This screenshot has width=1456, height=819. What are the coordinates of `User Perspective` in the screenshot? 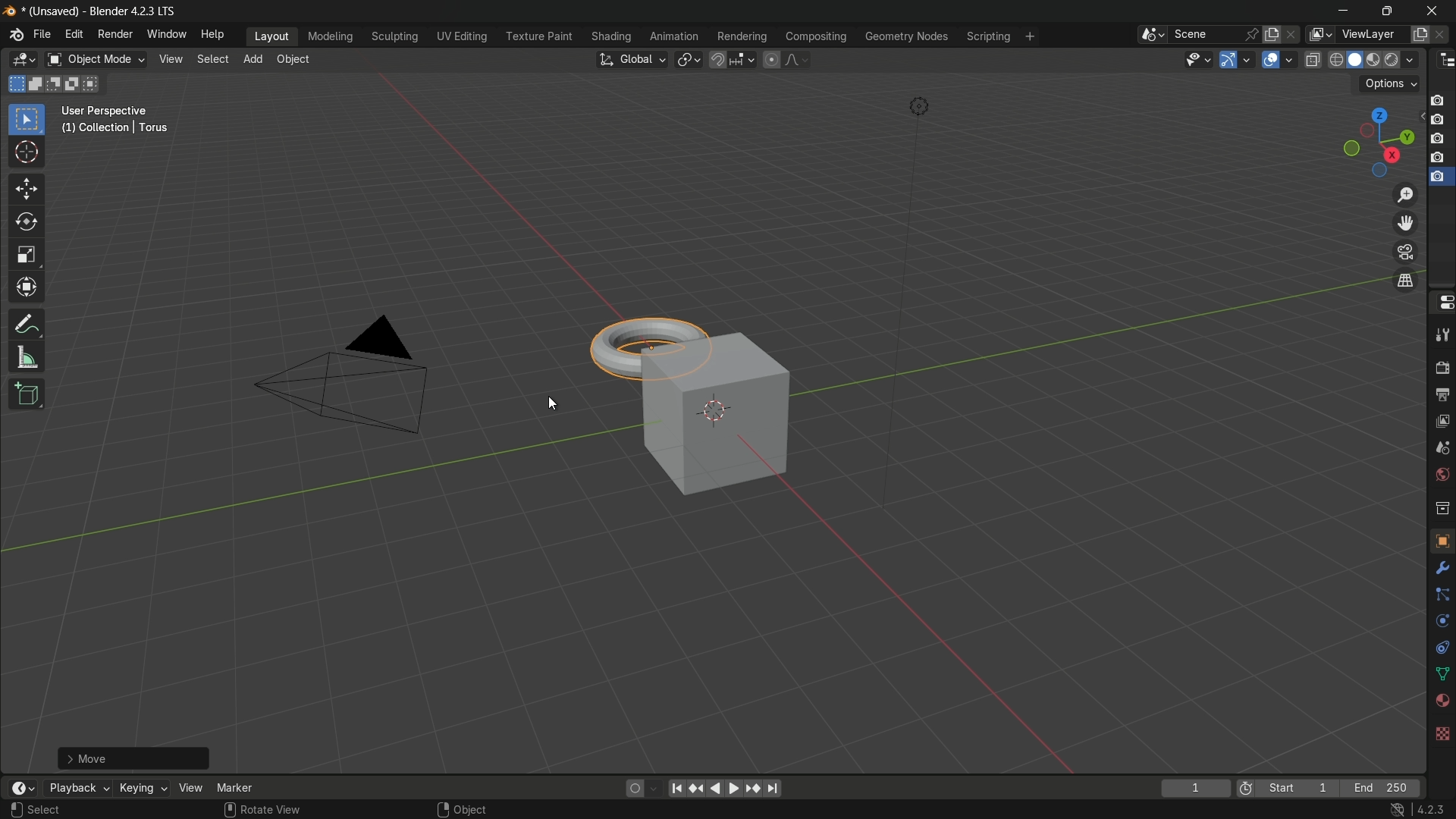 It's located at (108, 111).